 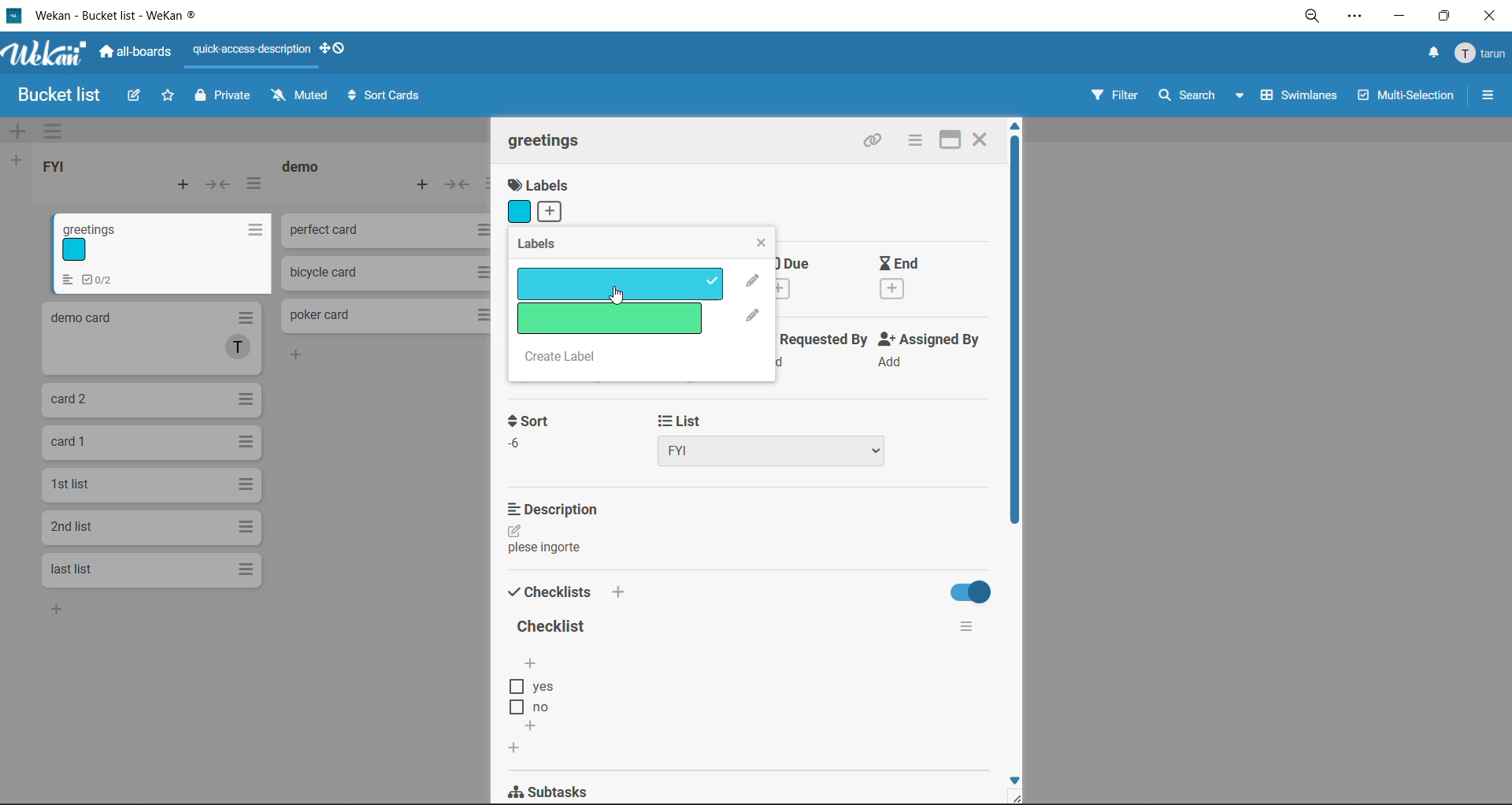 I want to click on card 7, so click(x=146, y=569).